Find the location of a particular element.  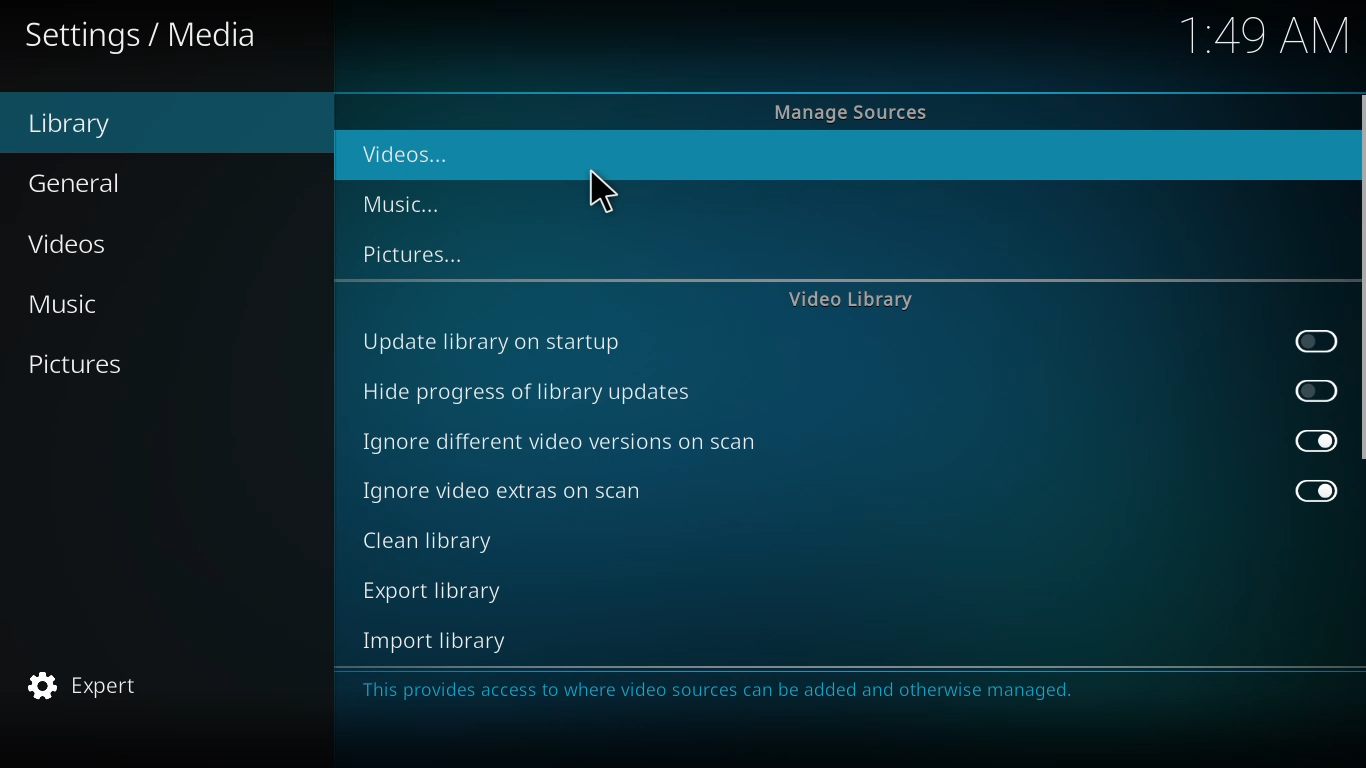

media is located at coordinates (148, 35).